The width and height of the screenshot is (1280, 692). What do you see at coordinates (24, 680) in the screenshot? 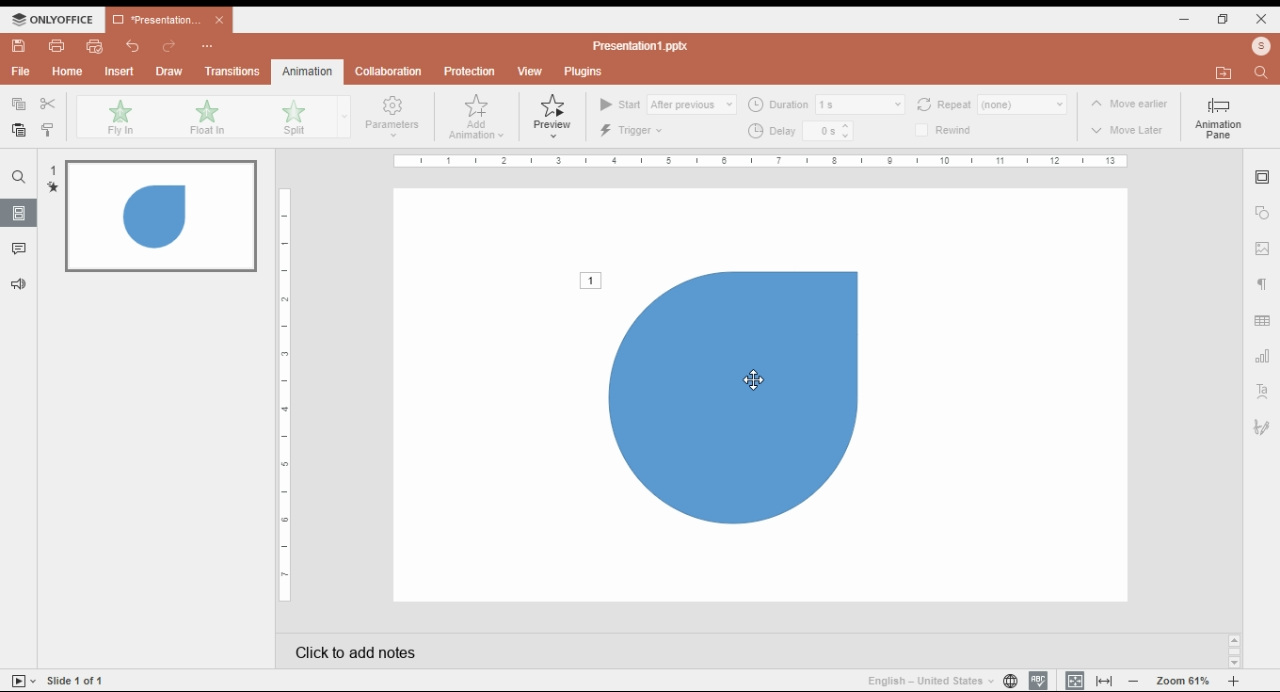
I see `start slide show` at bounding box center [24, 680].